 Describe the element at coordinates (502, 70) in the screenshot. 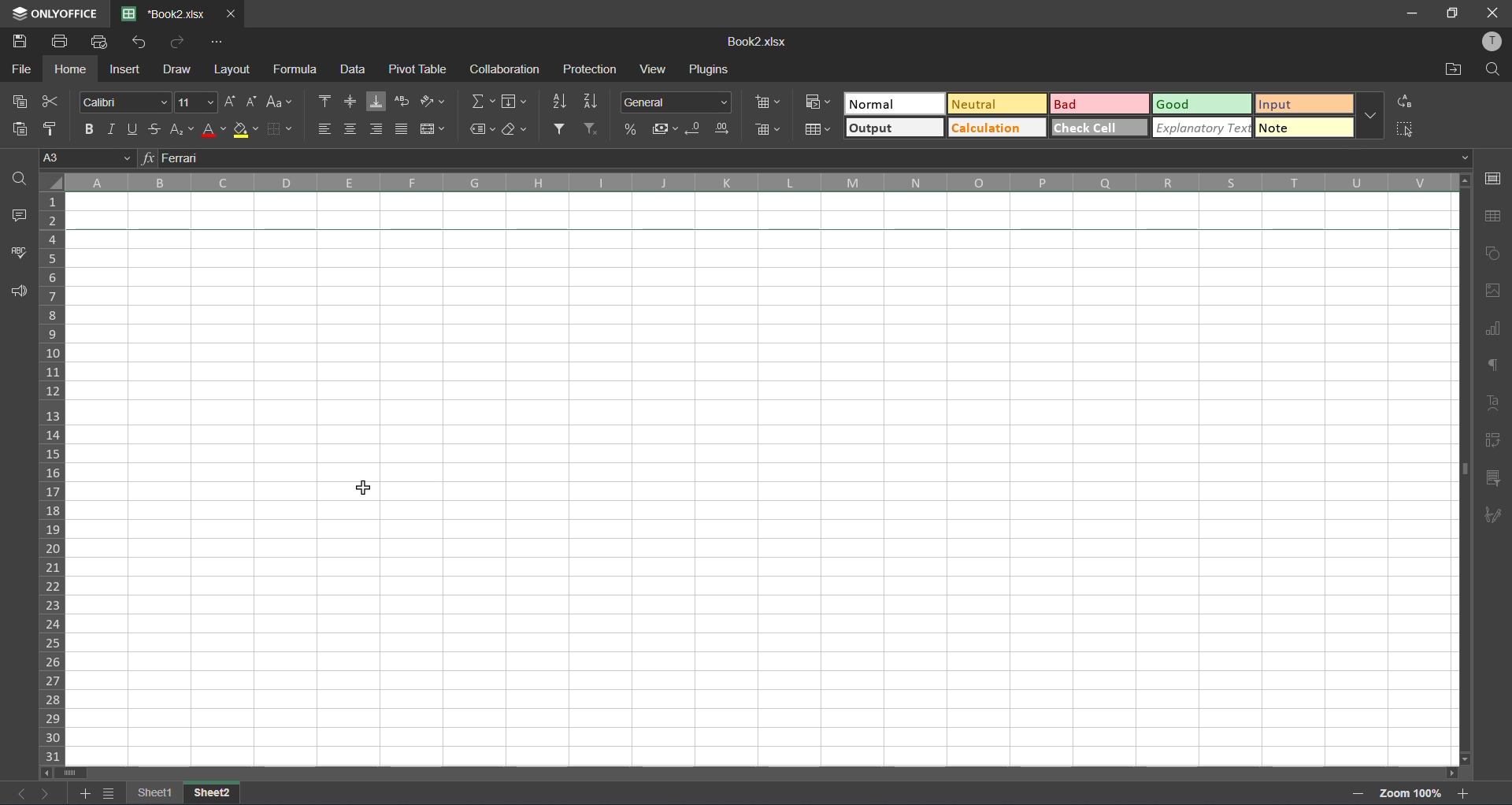

I see `collaboration` at that location.